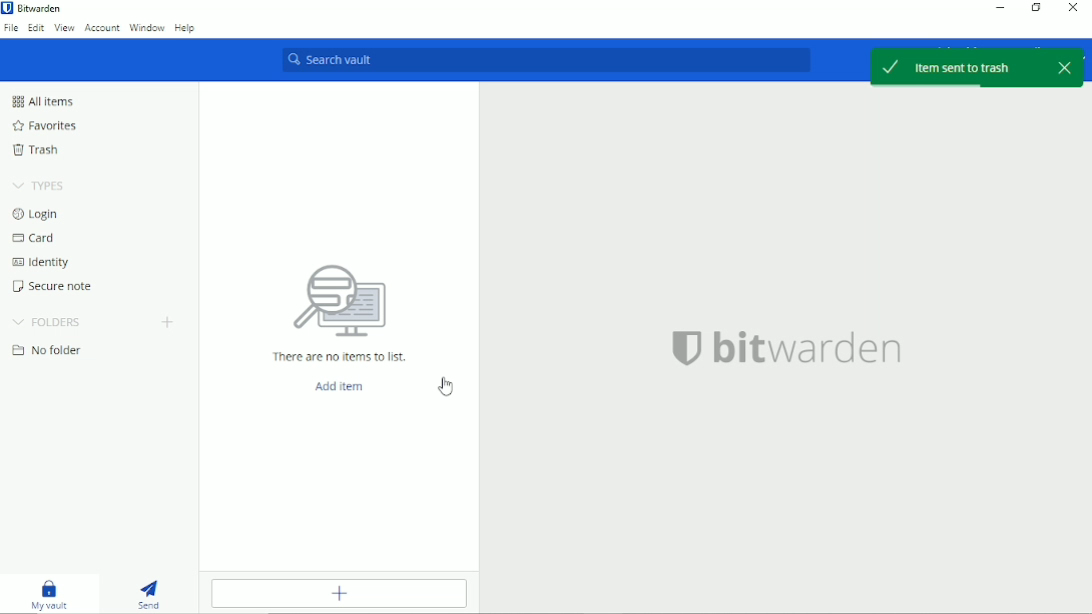  What do you see at coordinates (169, 322) in the screenshot?
I see `Create folder` at bounding box center [169, 322].